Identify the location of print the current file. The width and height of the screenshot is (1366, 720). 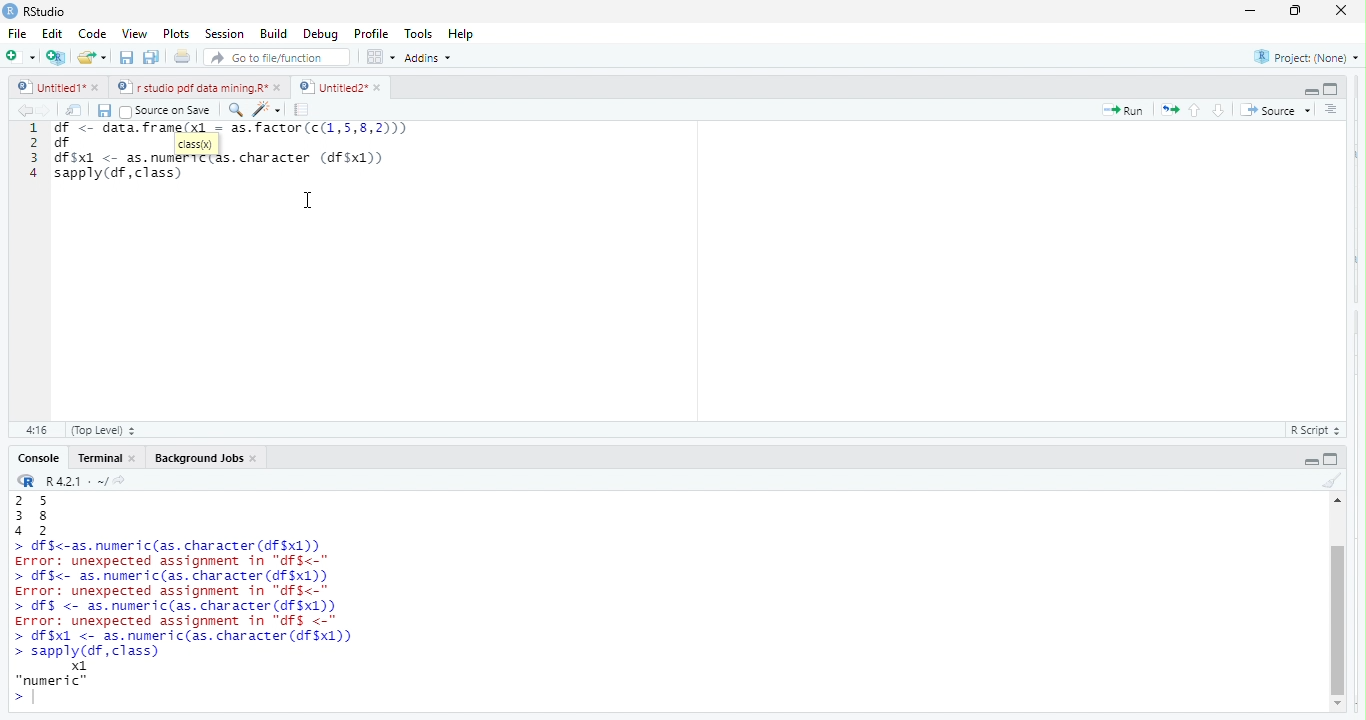
(180, 57).